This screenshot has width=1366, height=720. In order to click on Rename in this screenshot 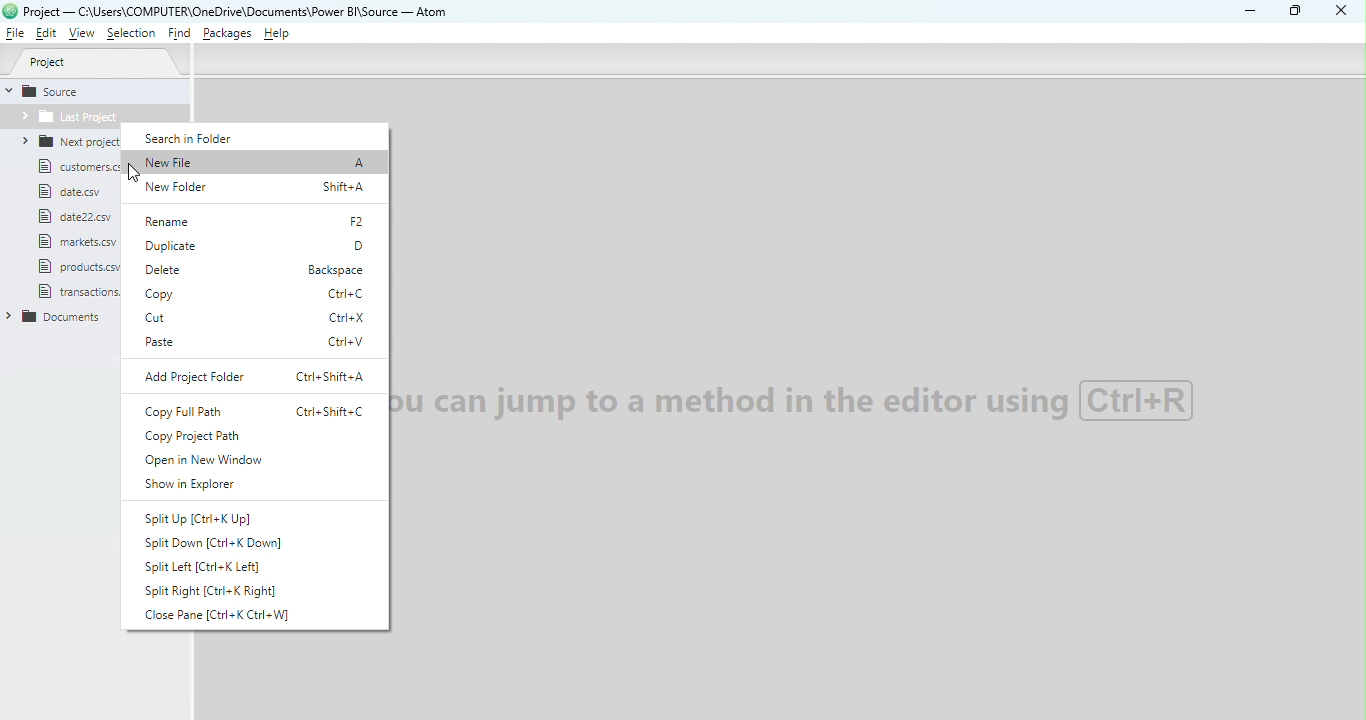, I will do `click(257, 222)`.